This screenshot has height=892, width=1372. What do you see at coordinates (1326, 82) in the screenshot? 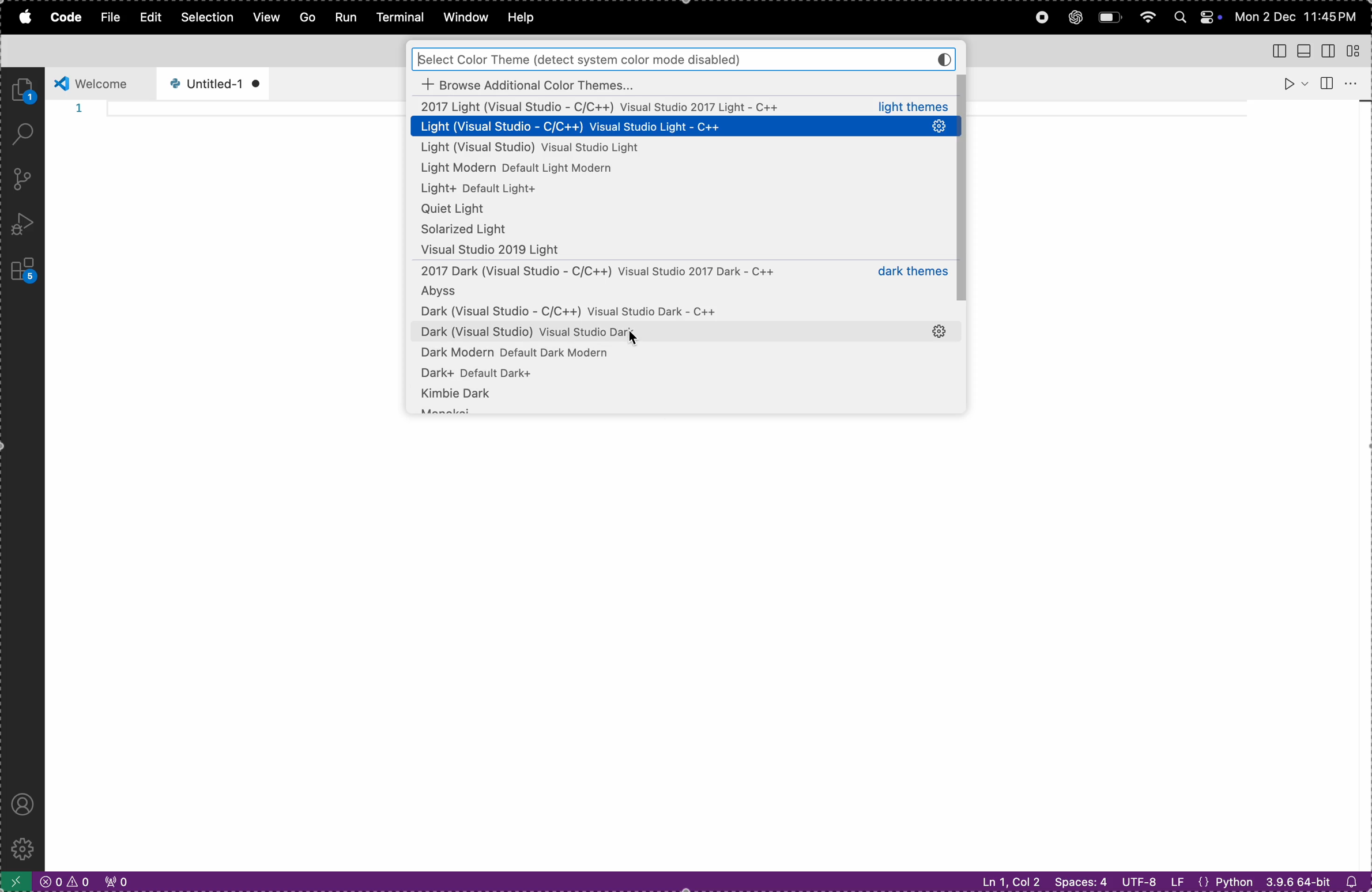
I see `split editor` at bounding box center [1326, 82].